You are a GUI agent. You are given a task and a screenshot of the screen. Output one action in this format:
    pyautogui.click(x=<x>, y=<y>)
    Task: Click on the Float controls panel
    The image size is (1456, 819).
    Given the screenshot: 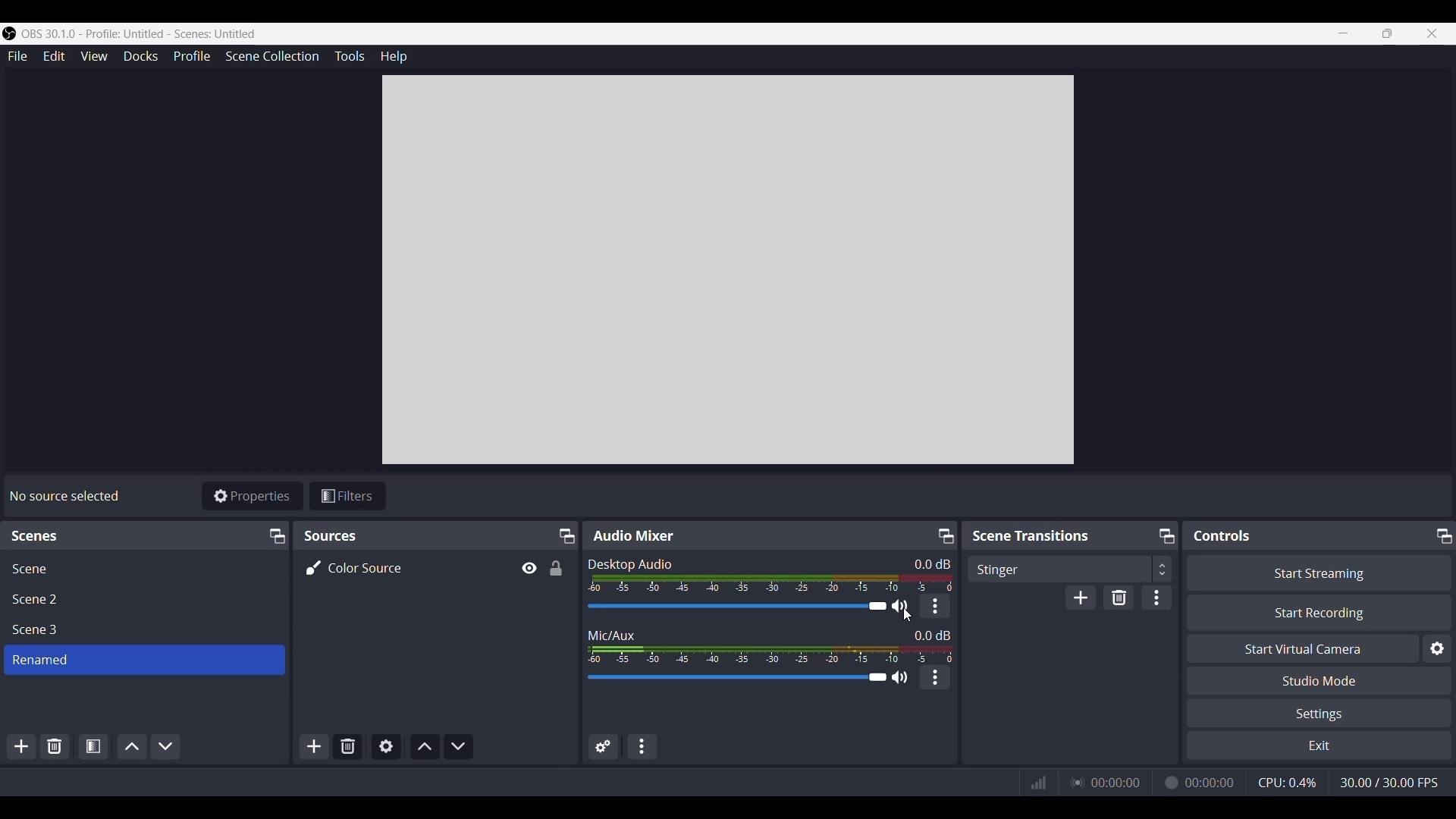 What is the action you would take?
    pyautogui.click(x=1444, y=535)
    